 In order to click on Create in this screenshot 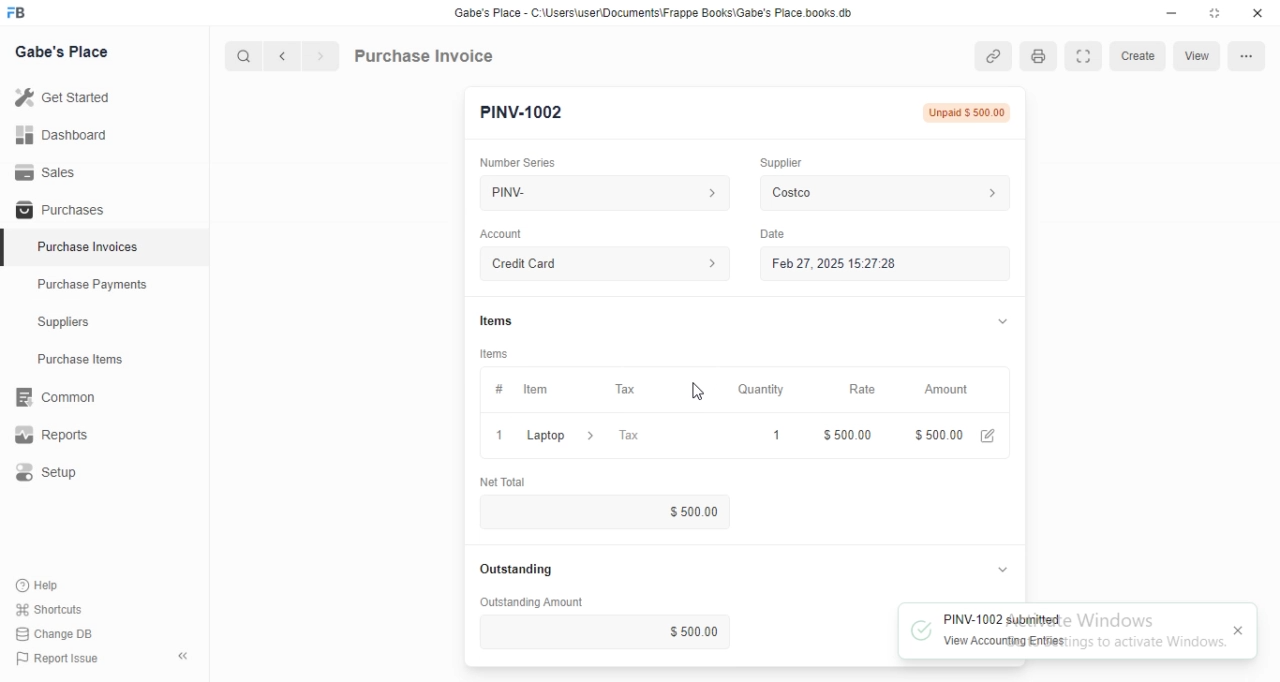, I will do `click(1137, 56)`.